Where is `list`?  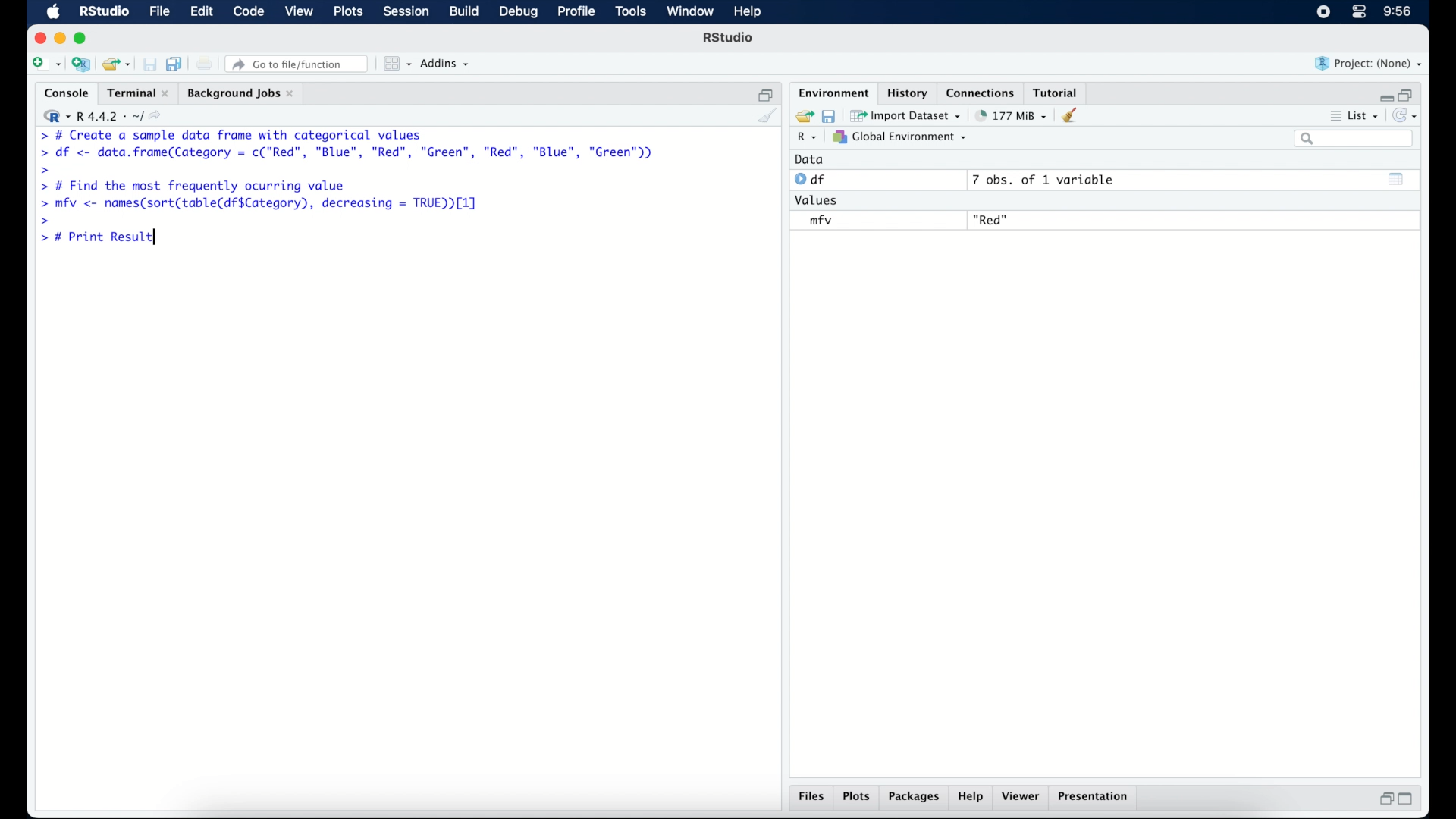 list is located at coordinates (1366, 115).